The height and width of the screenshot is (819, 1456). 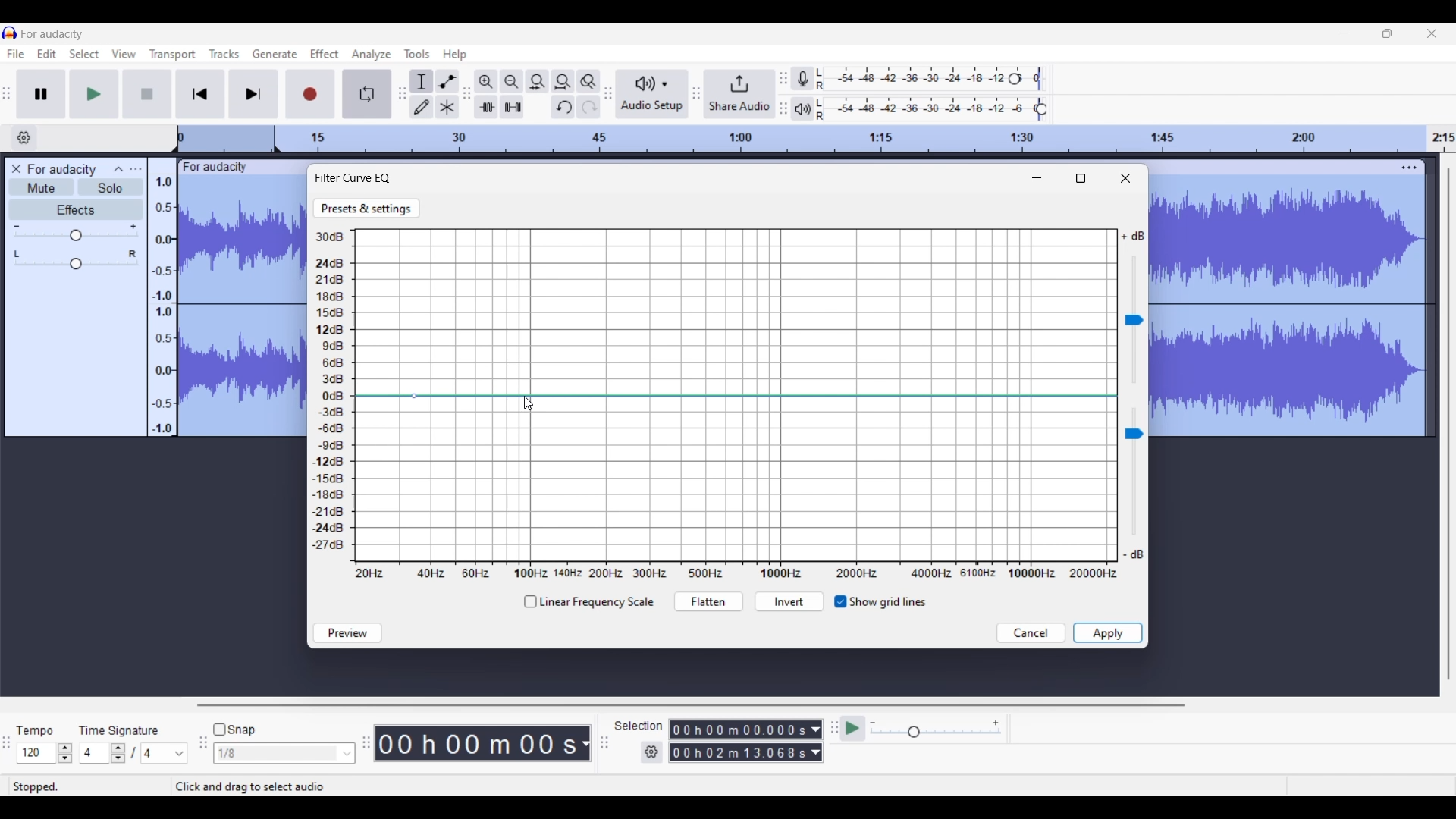 I want to click on Duration of recorded audio, so click(x=478, y=744).